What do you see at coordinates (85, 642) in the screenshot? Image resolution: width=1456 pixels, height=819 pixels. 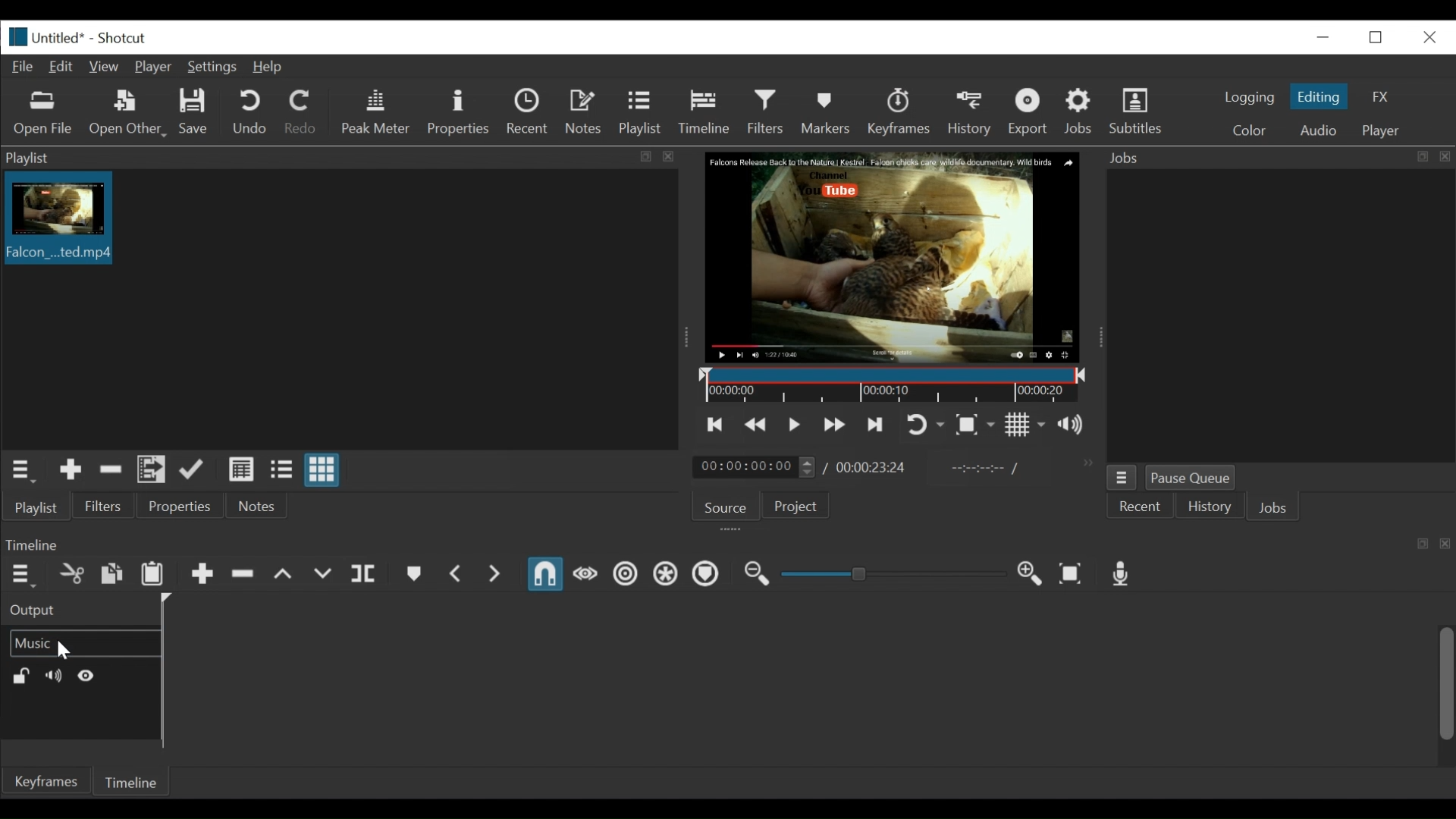 I see `Video track name` at bounding box center [85, 642].